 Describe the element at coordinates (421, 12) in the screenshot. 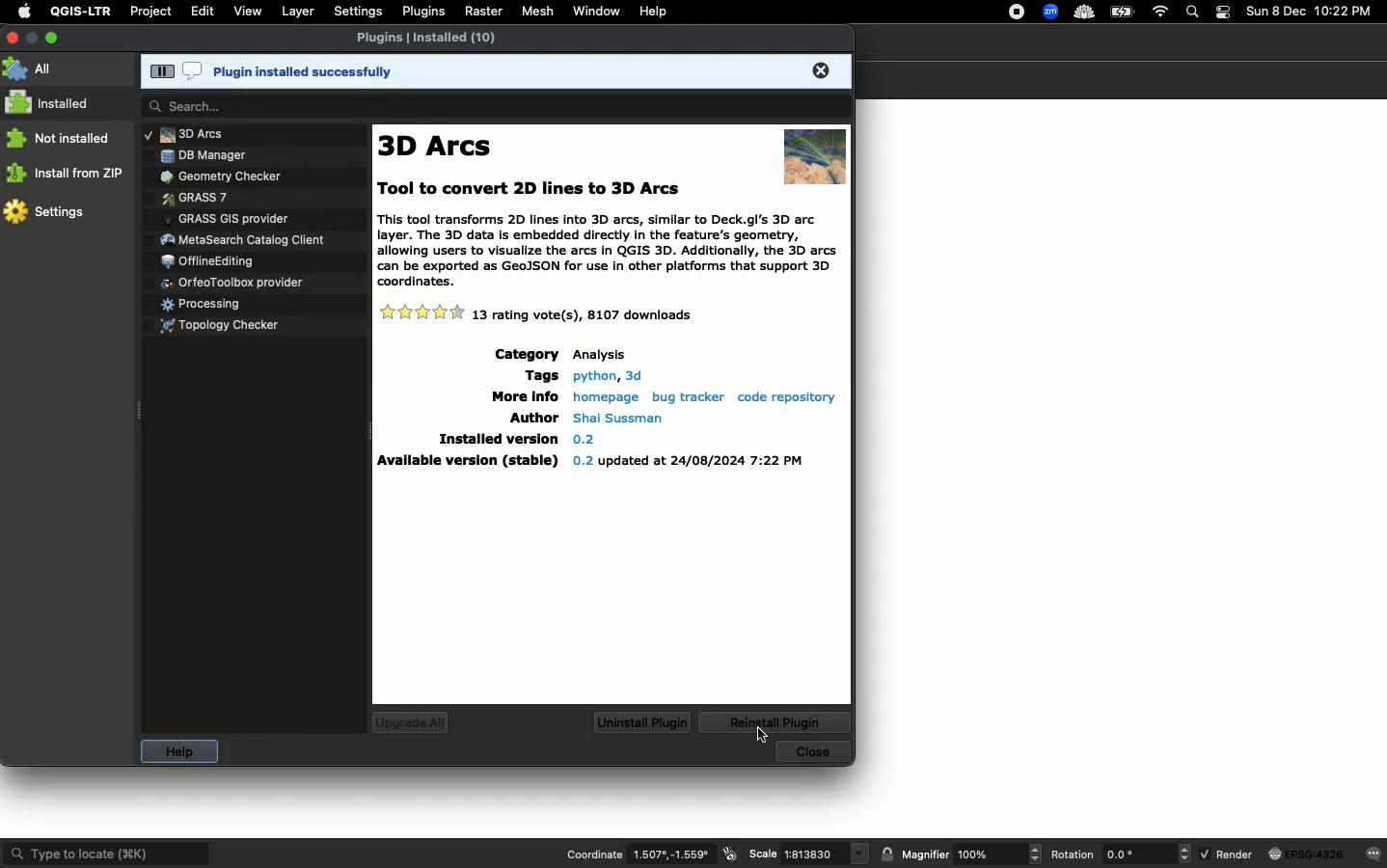

I see `Plugins` at that location.